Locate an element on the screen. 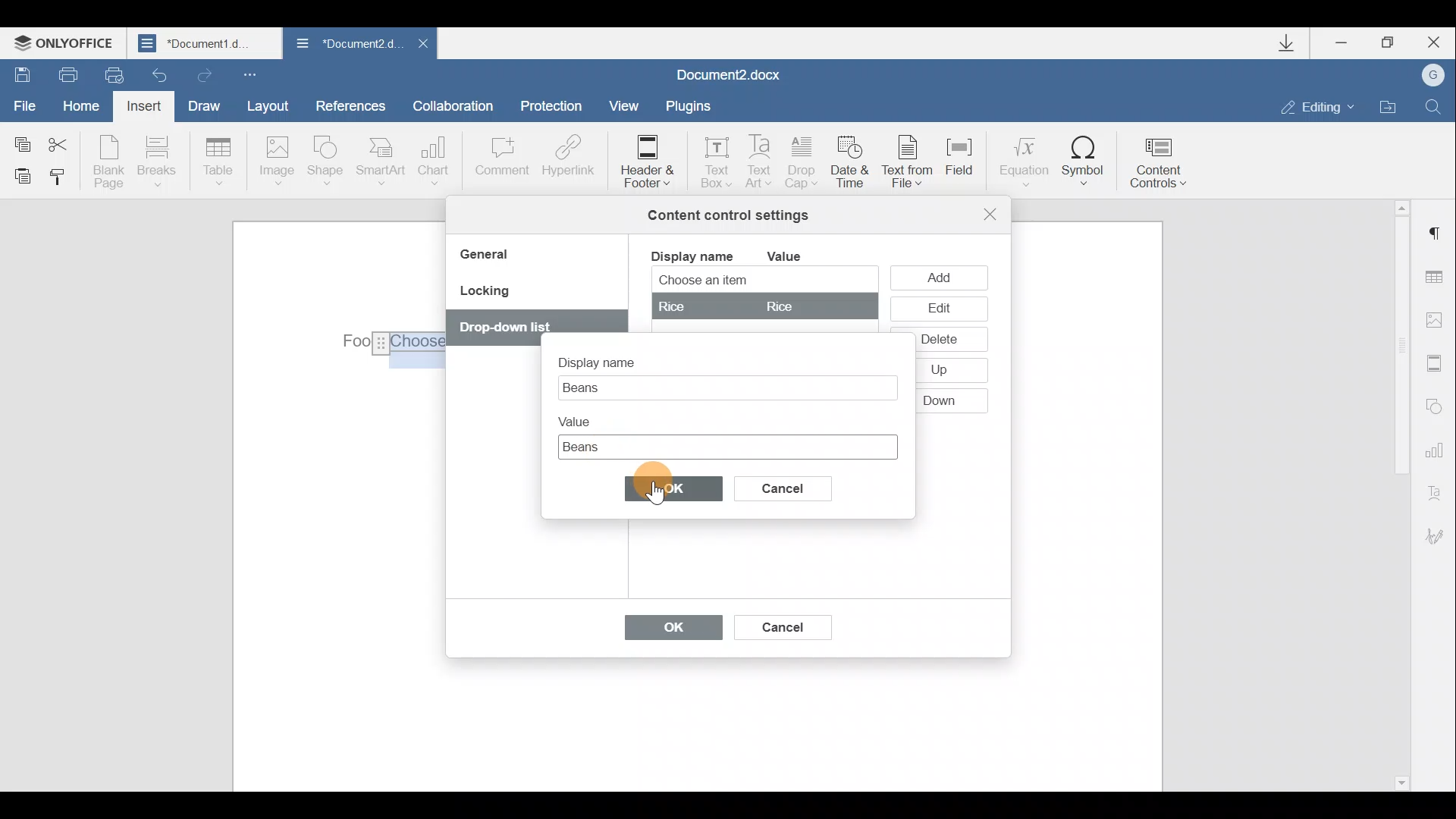 The height and width of the screenshot is (819, 1456). Cancel is located at coordinates (795, 485).